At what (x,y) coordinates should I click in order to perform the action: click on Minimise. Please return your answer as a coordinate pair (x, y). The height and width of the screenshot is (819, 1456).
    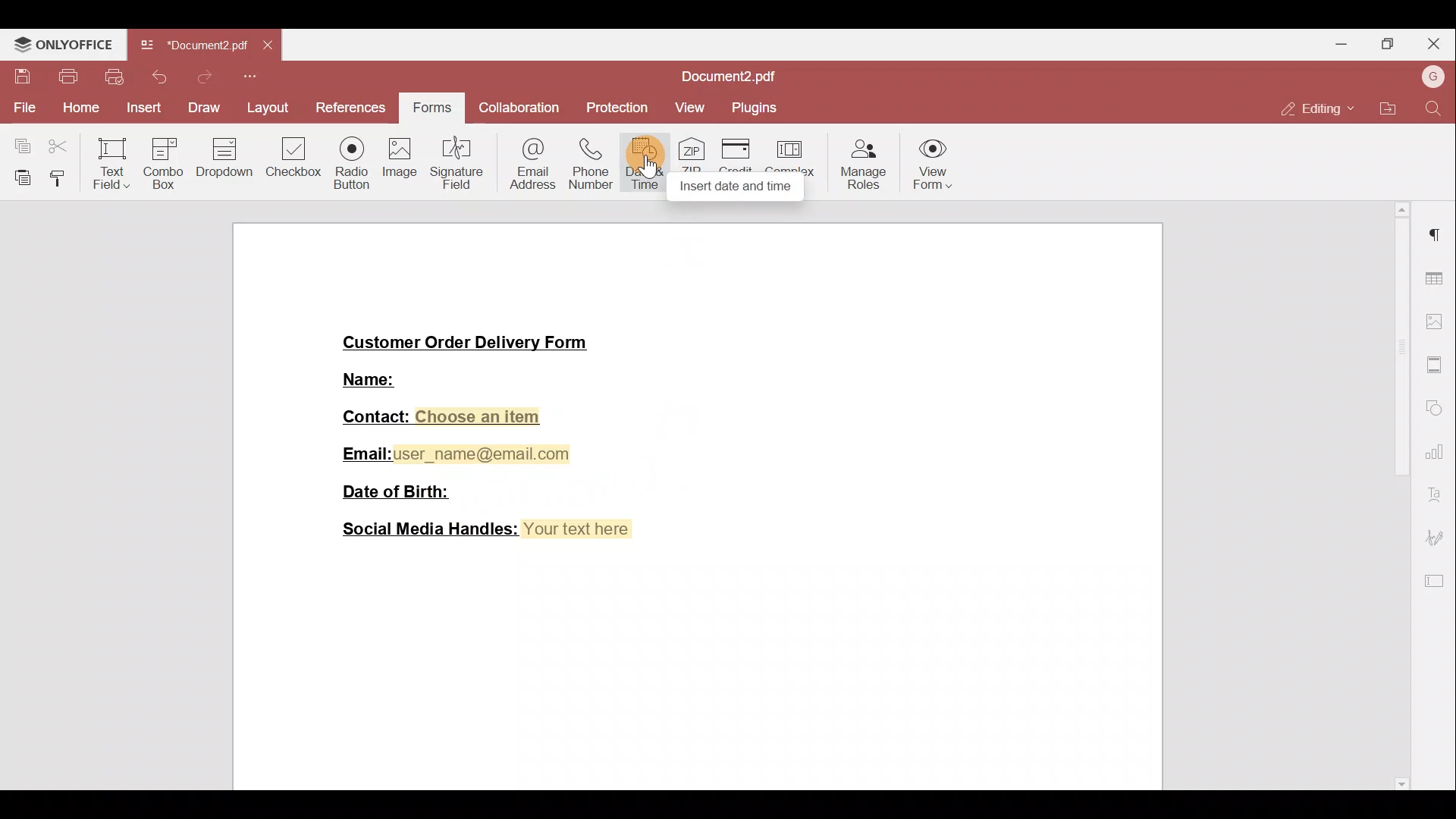
    Looking at the image, I should click on (1341, 46).